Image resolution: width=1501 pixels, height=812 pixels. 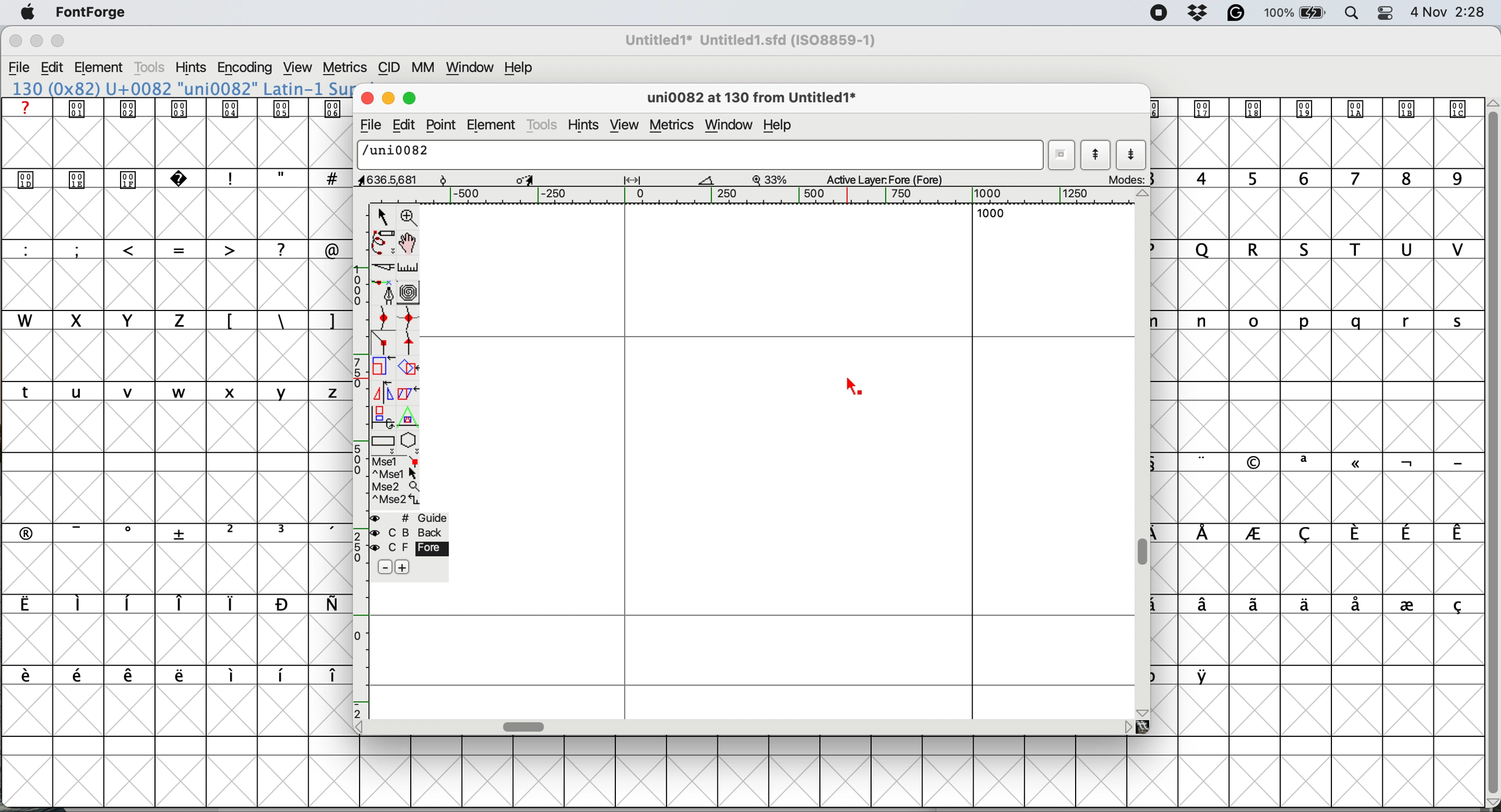 I want to click on zoom, so click(x=410, y=216).